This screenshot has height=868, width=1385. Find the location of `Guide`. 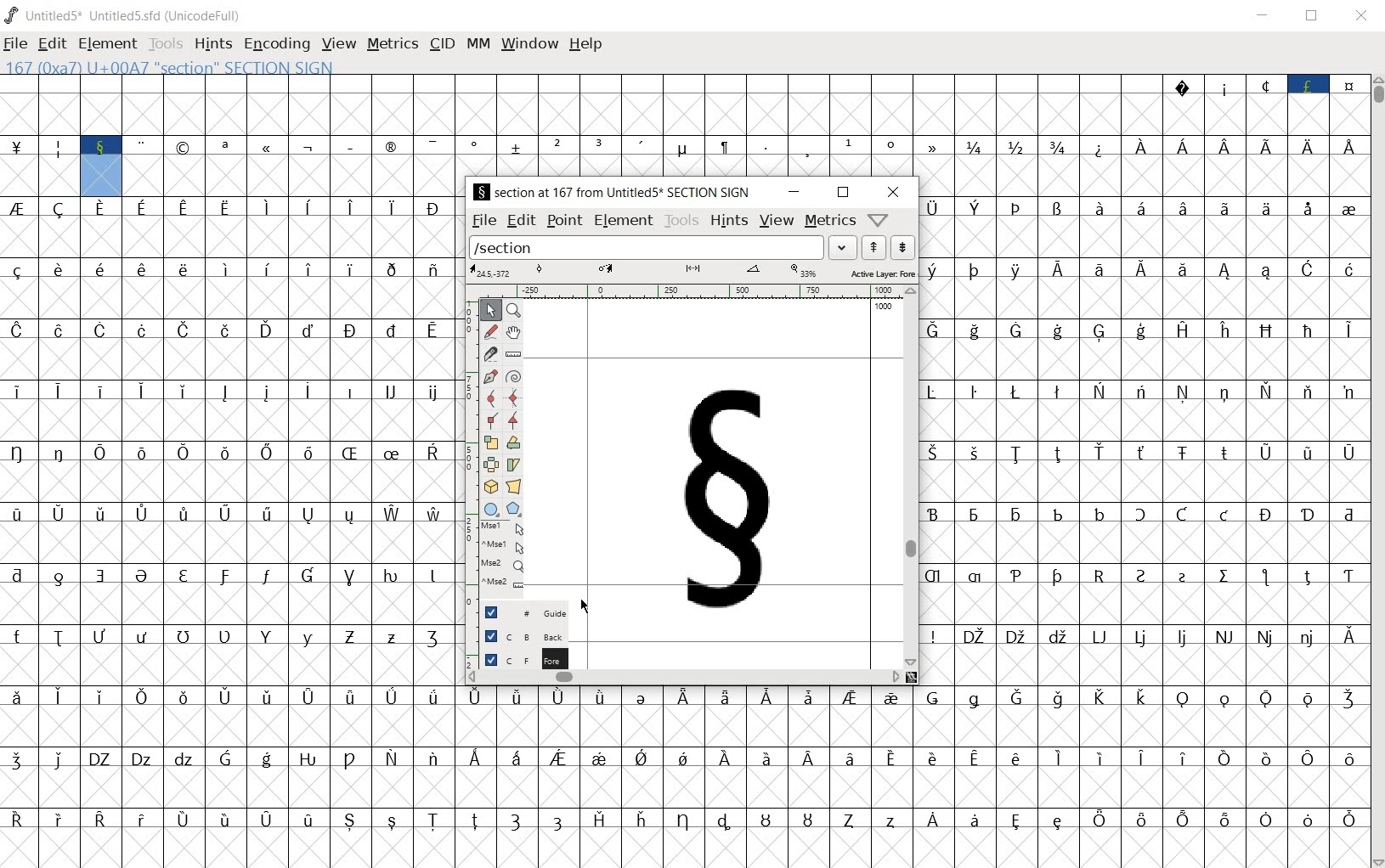

Guide is located at coordinates (523, 612).